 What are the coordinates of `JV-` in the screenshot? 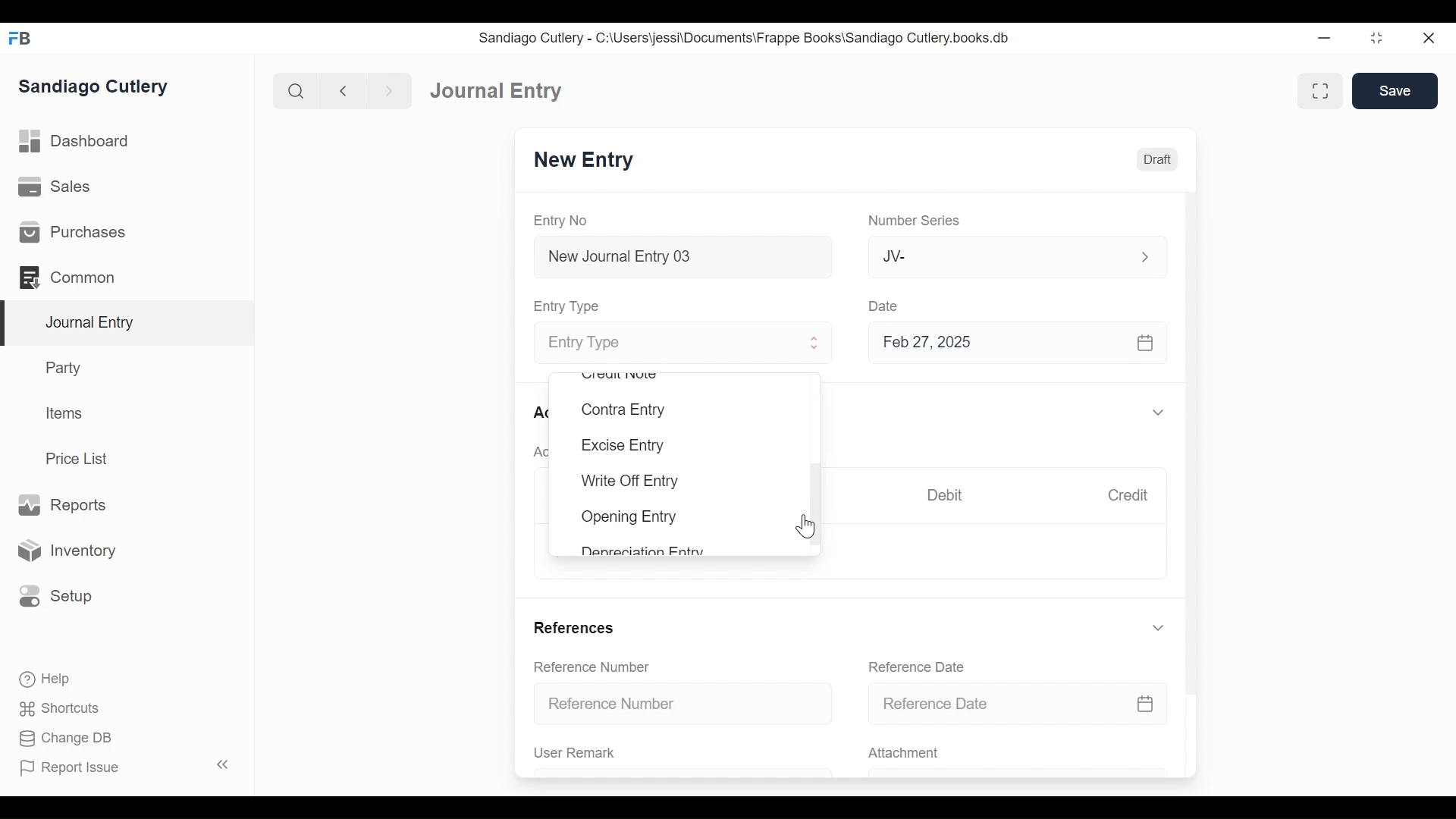 It's located at (990, 256).